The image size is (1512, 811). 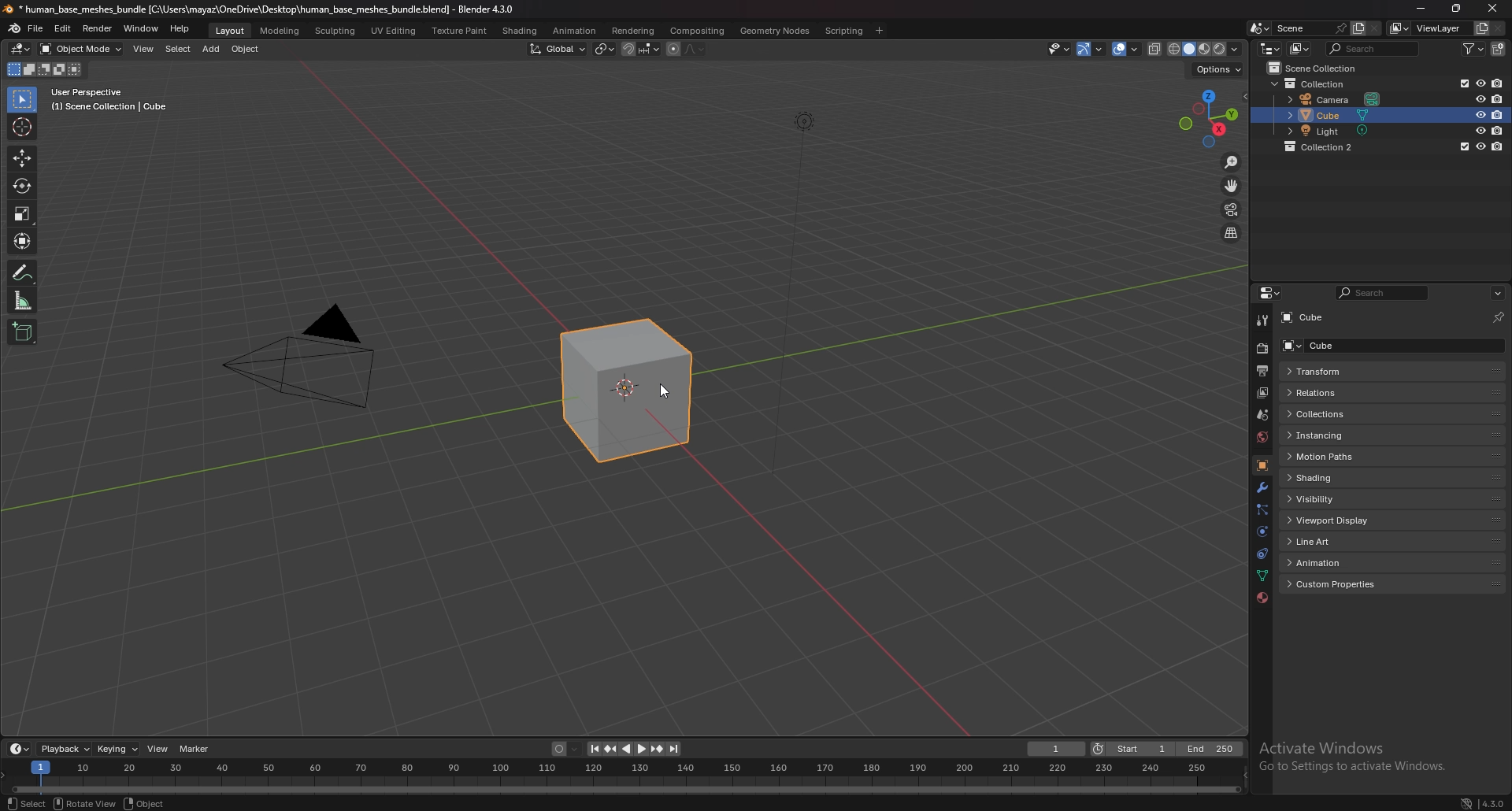 I want to click on hide in viewport, so click(x=1480, y=146).